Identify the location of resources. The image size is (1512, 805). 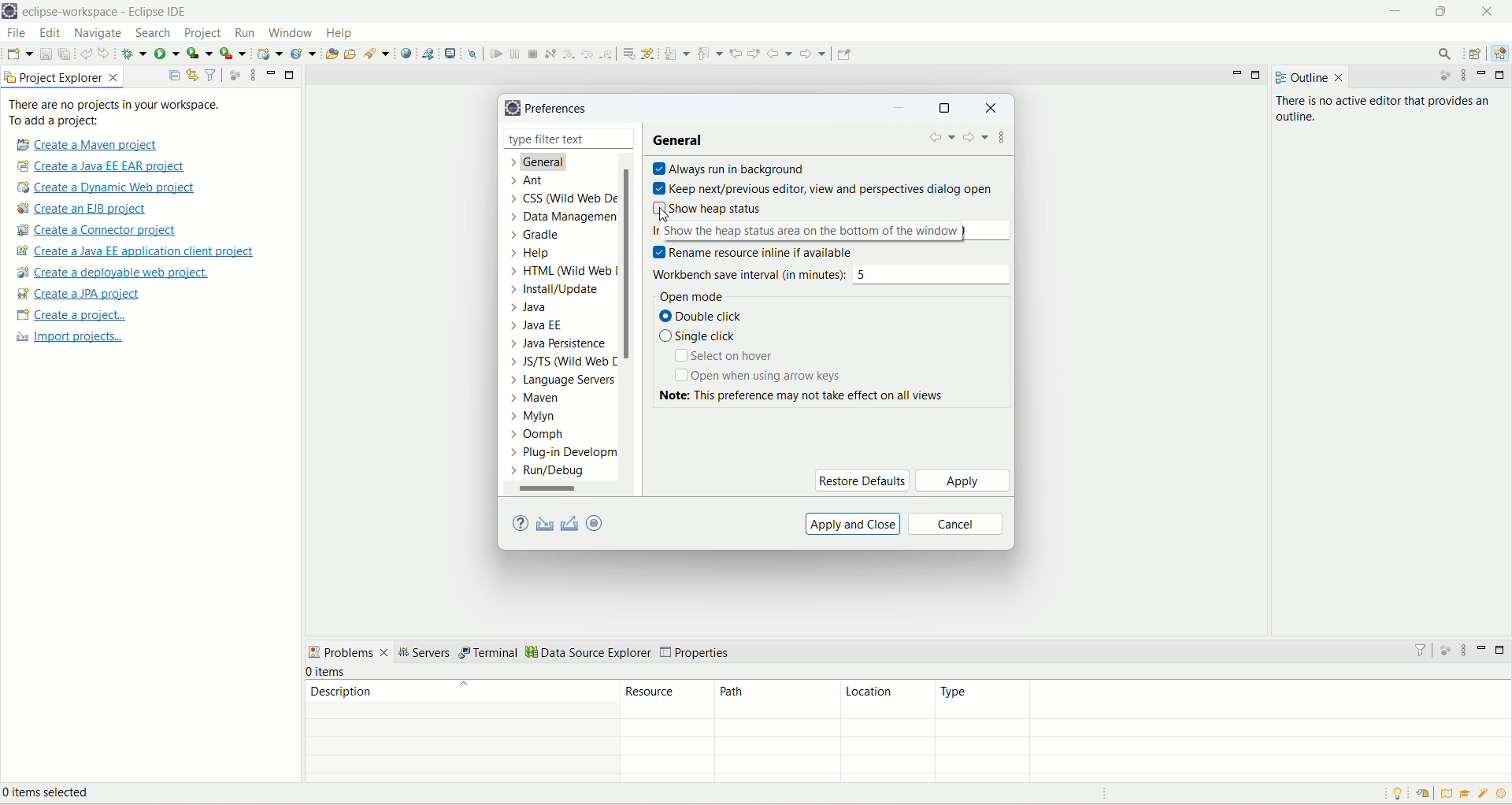
(668, 699).